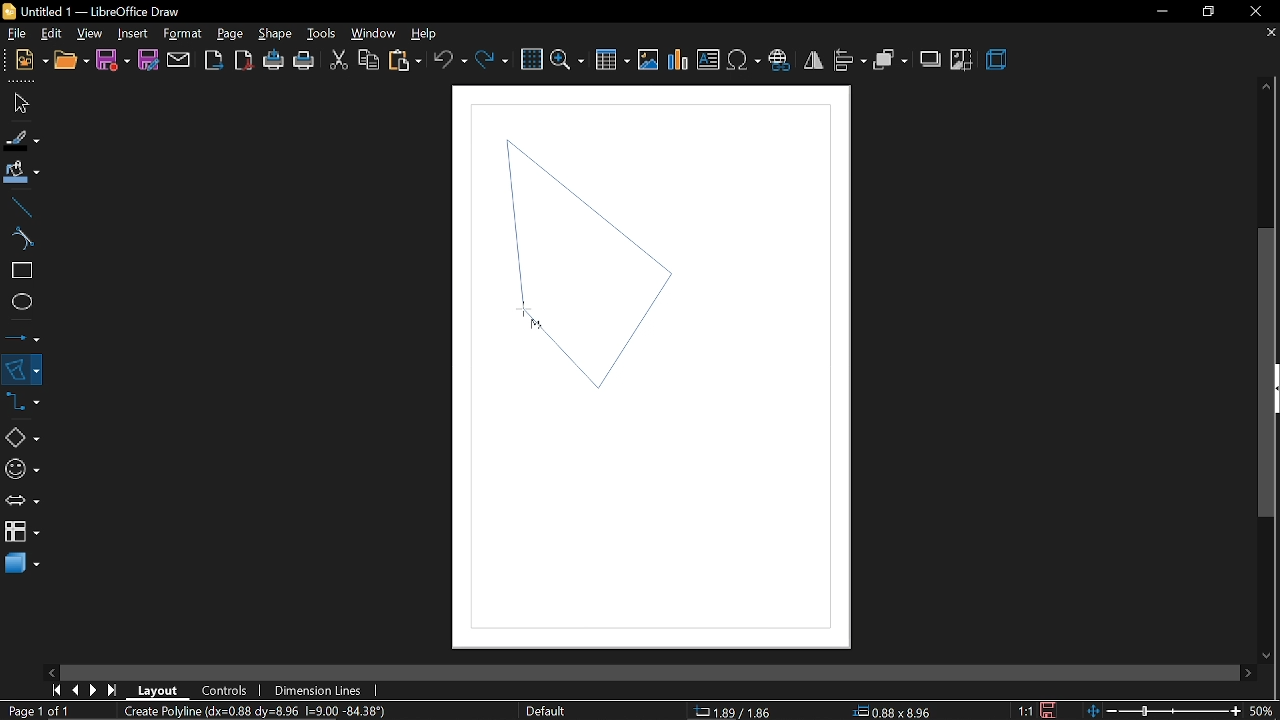 The width and height of the screenshot is (1280, 720). Describe the element at coordinates (90, 32) in the screenshot. I see `view` at that location.